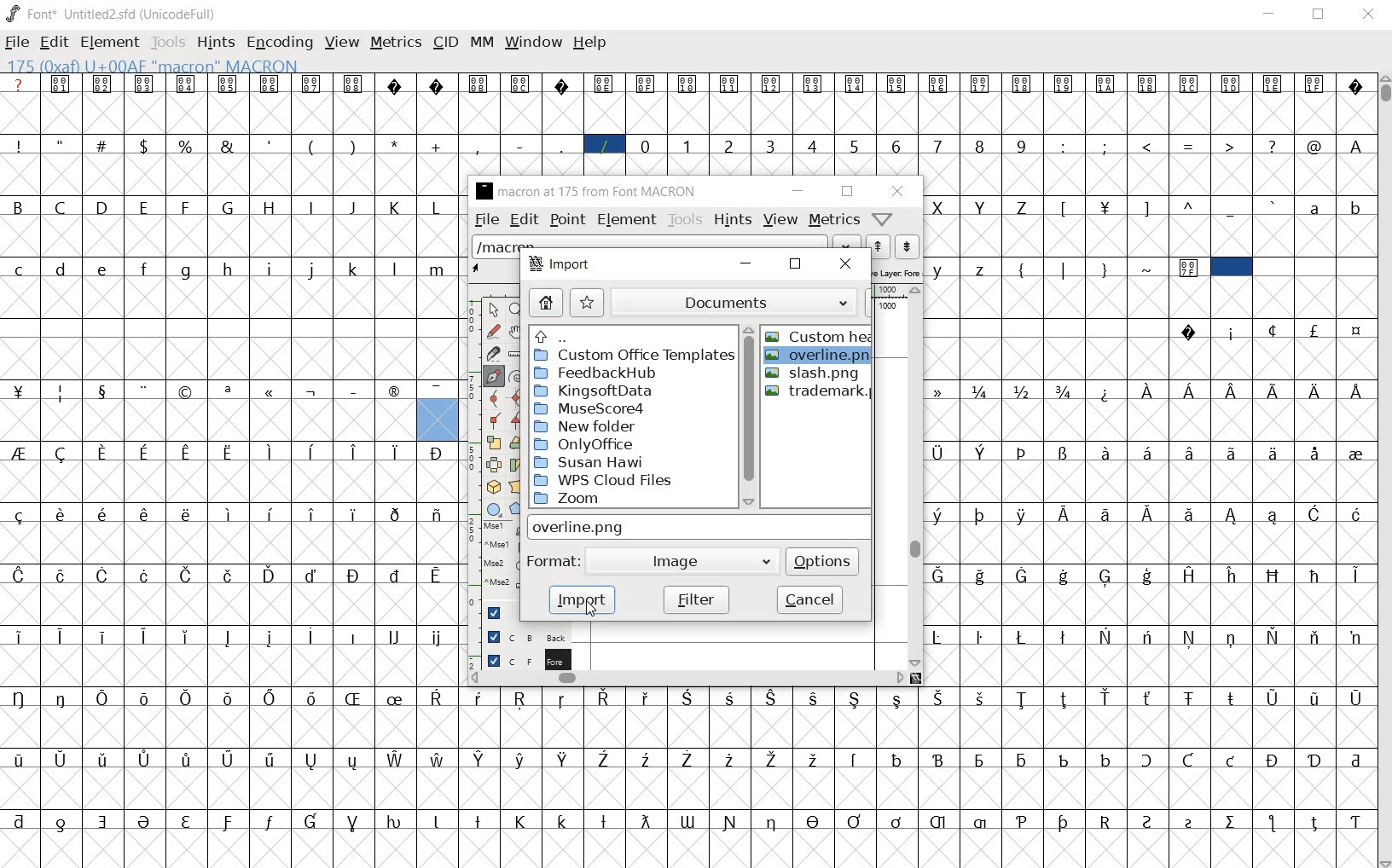 The height and width of the screenshot is (868, 1392). Describe the element at coordinates (54, 42) in the screenshot. I see `edit` at that location.